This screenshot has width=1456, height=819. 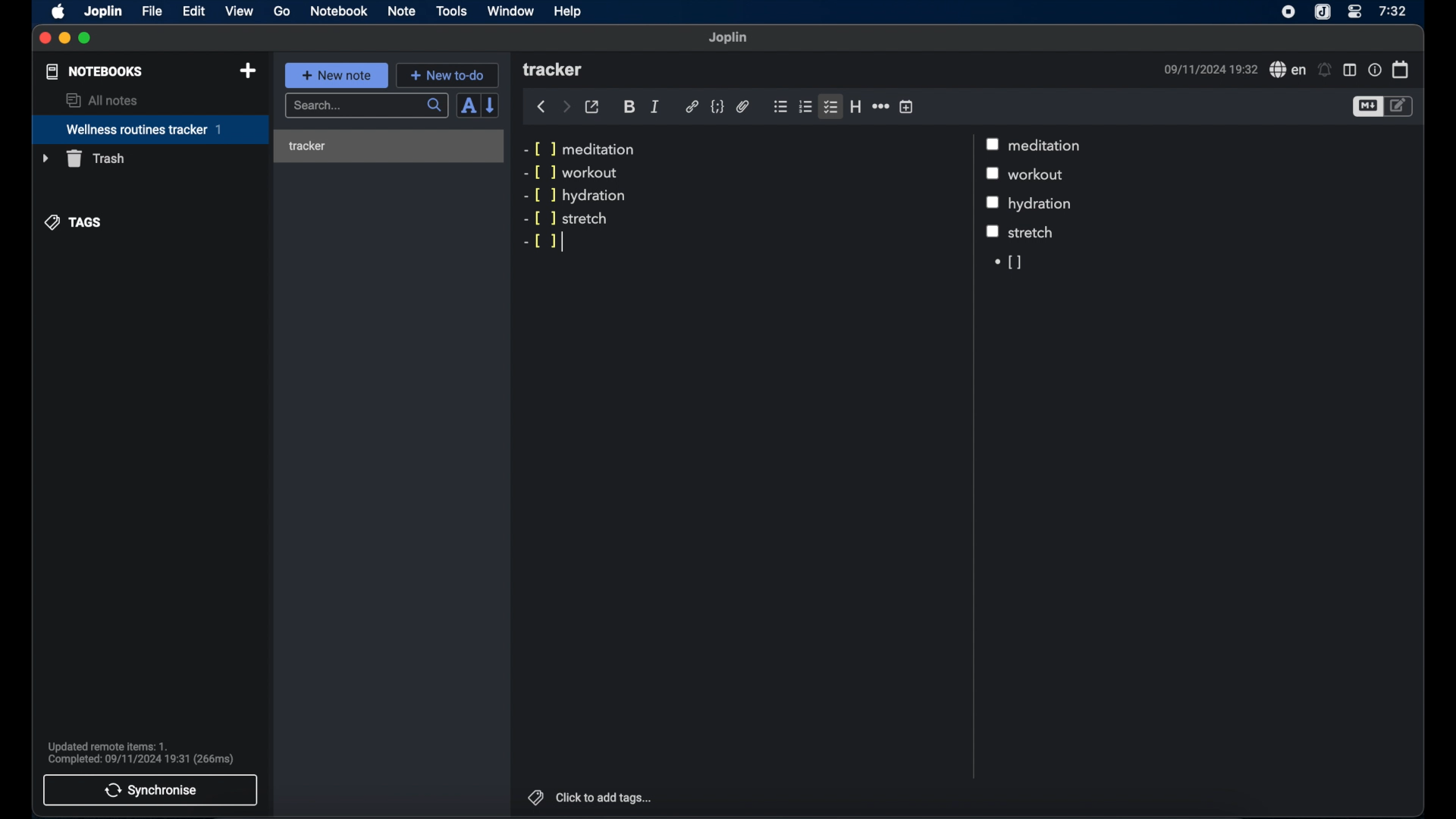 What do you see at coordinates (447, 74) in the screenshot?
I see `+ new to-do` at bounding box center [447, 74].